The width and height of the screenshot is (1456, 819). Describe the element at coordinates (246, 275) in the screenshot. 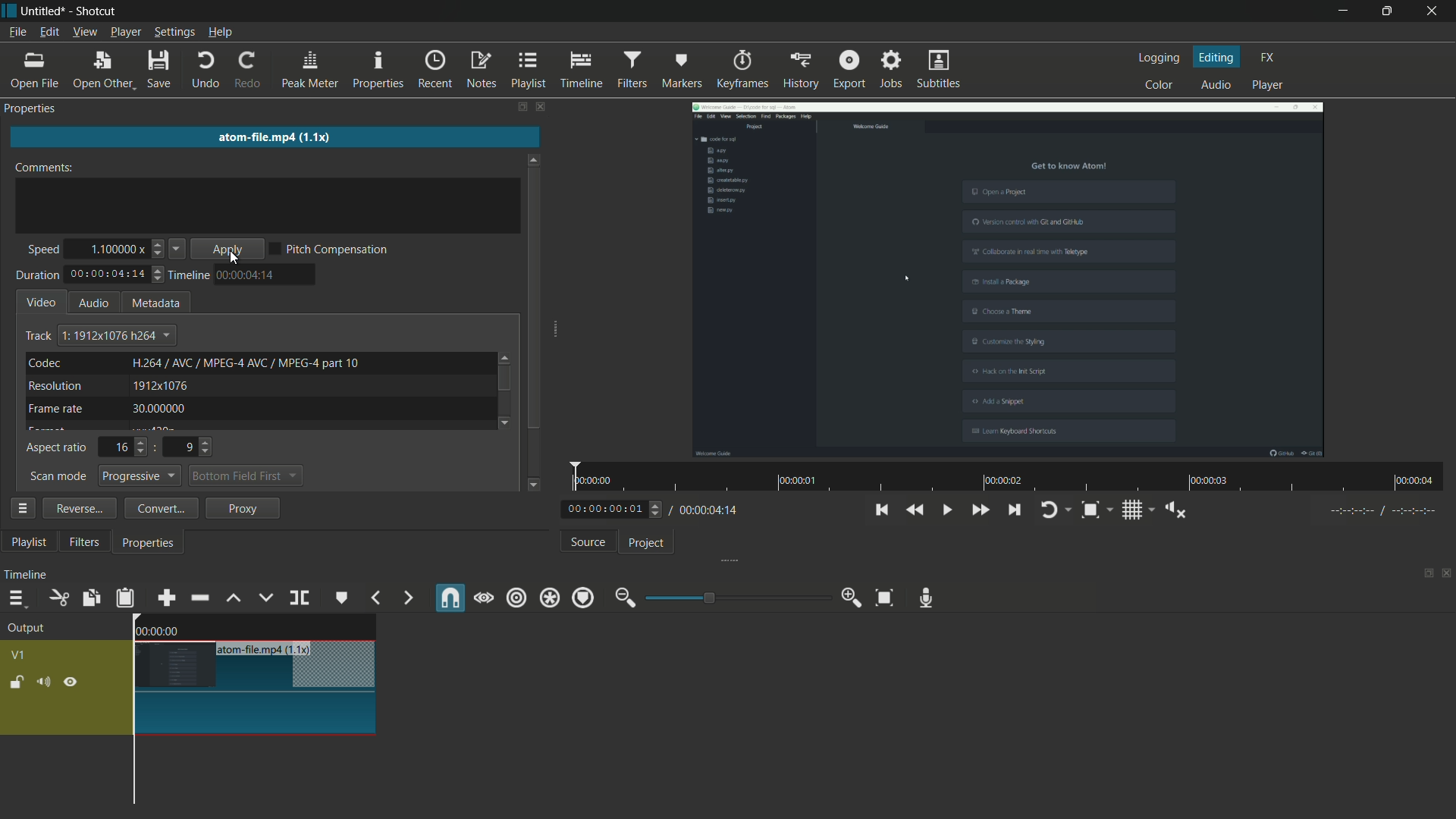

I see `time` at that location.